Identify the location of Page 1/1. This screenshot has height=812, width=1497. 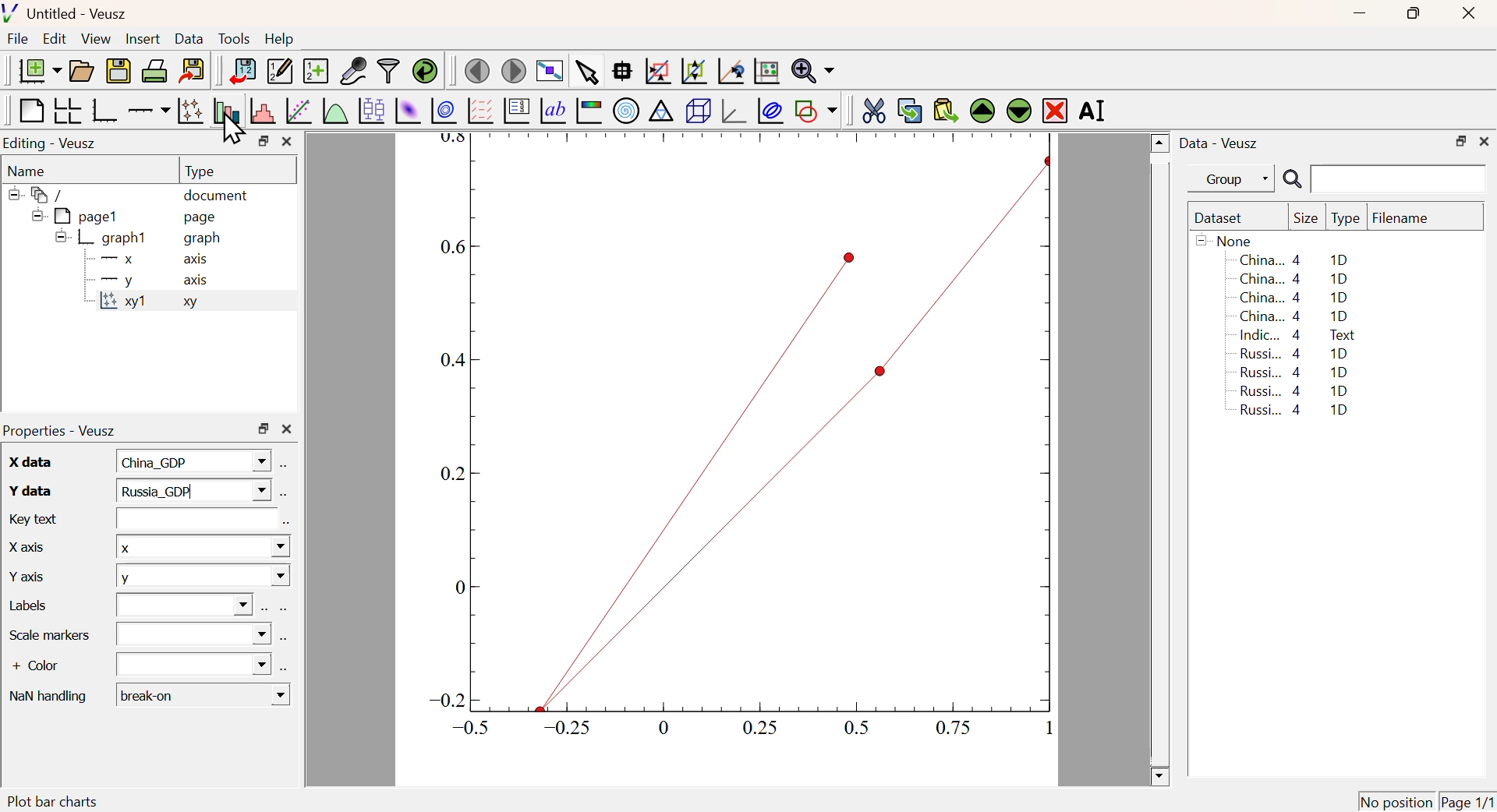
(1466, 801).